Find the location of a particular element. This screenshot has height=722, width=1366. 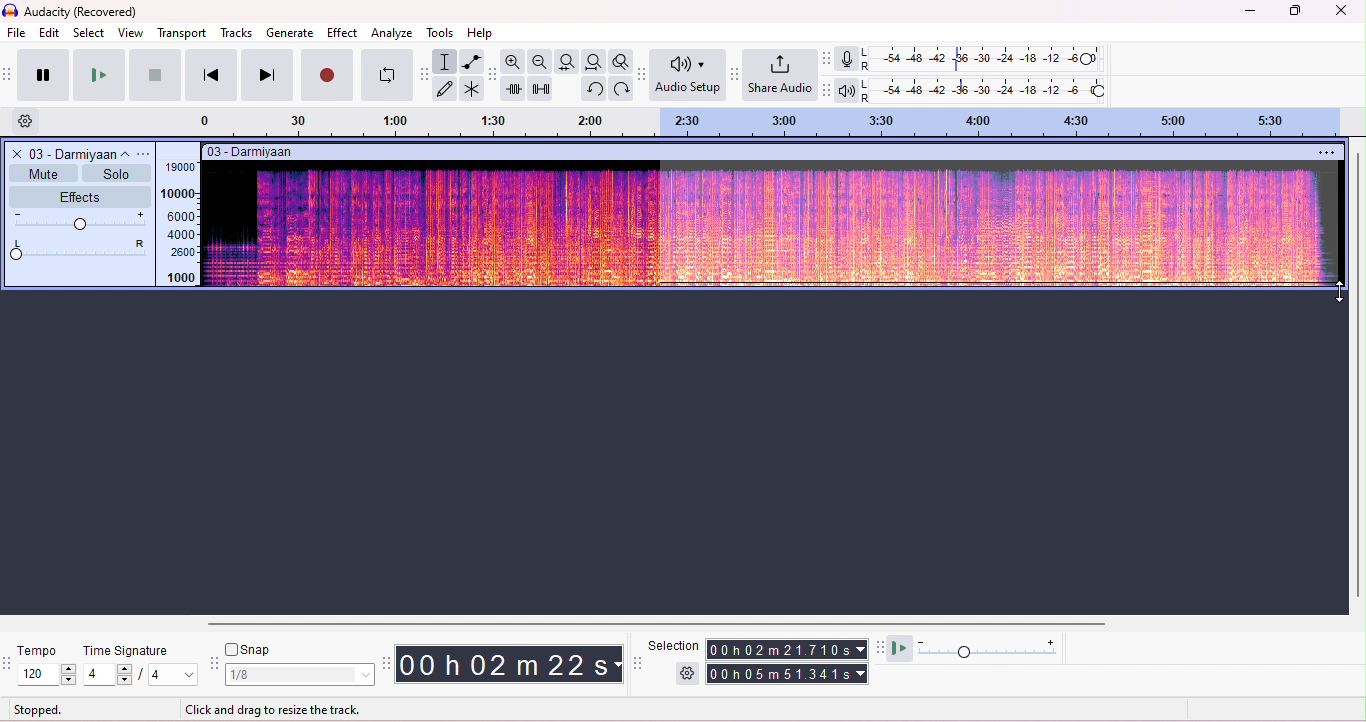

snap is located at coordinates (250, 651).